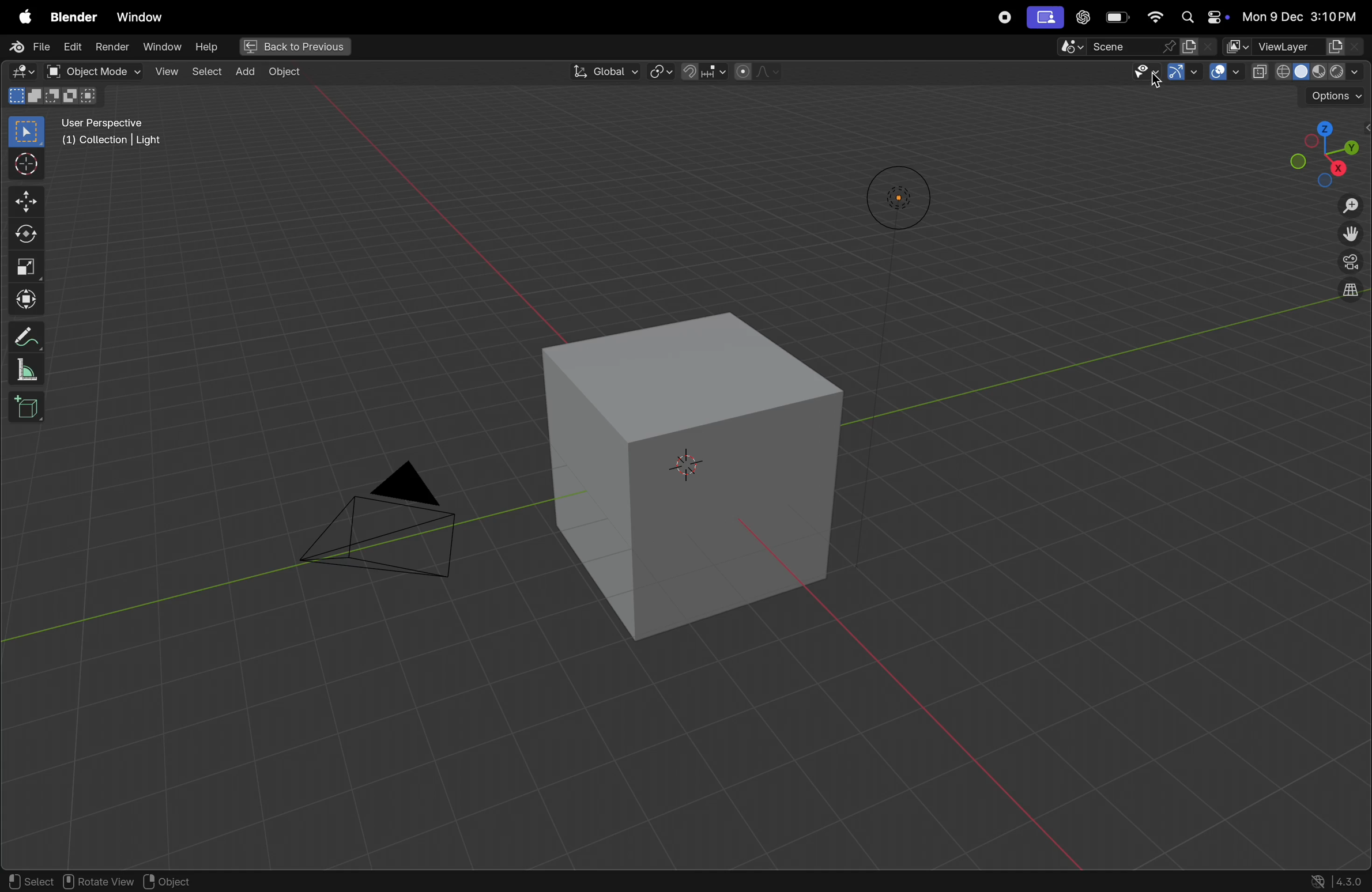 The height and width of the screenshot is (892, 1372). I want to click on hidden layers, so click(1344, 298).